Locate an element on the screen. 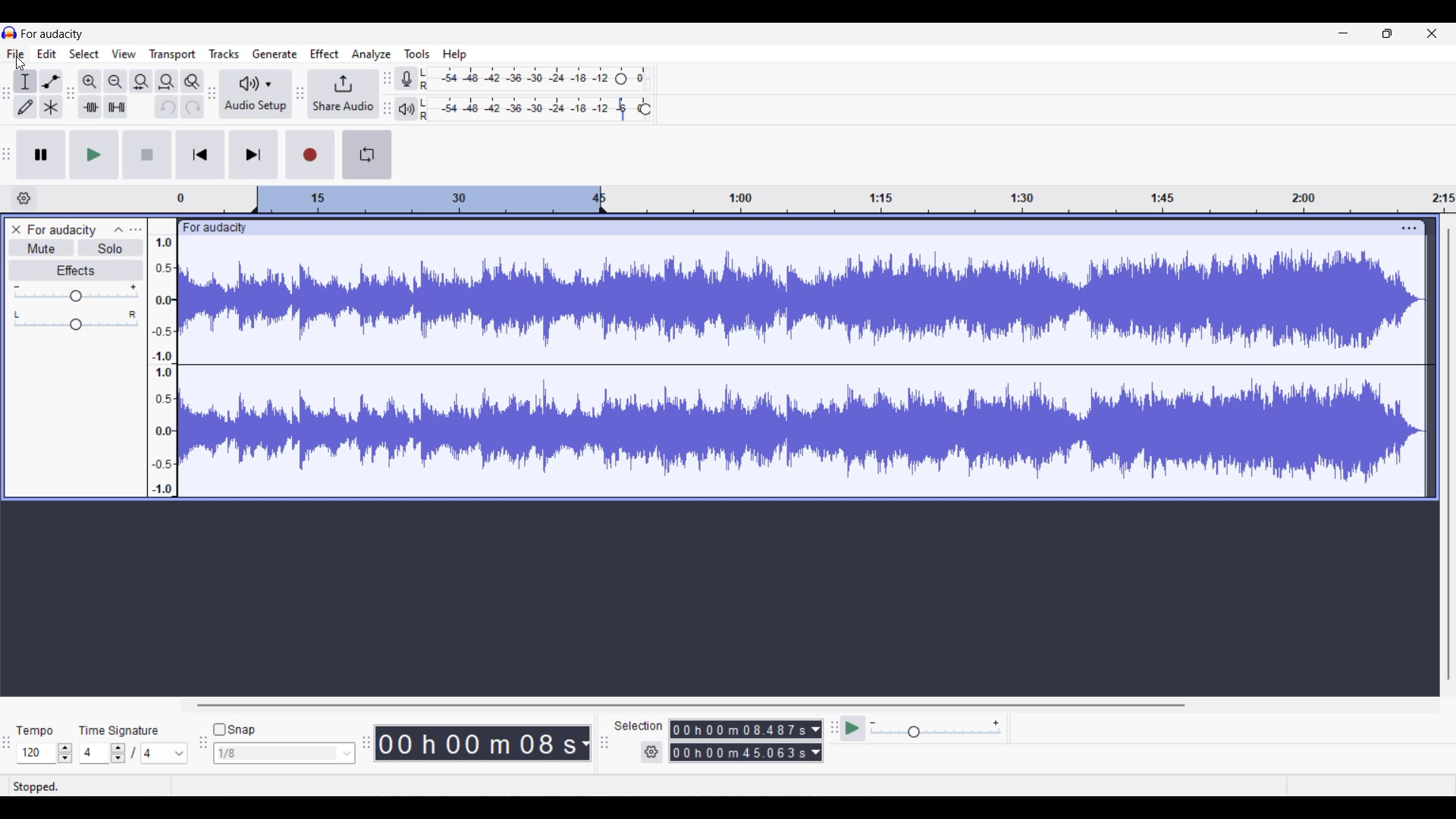 The image size is (1456, 819). Fit selection to width is located at coordinates (140, 83).